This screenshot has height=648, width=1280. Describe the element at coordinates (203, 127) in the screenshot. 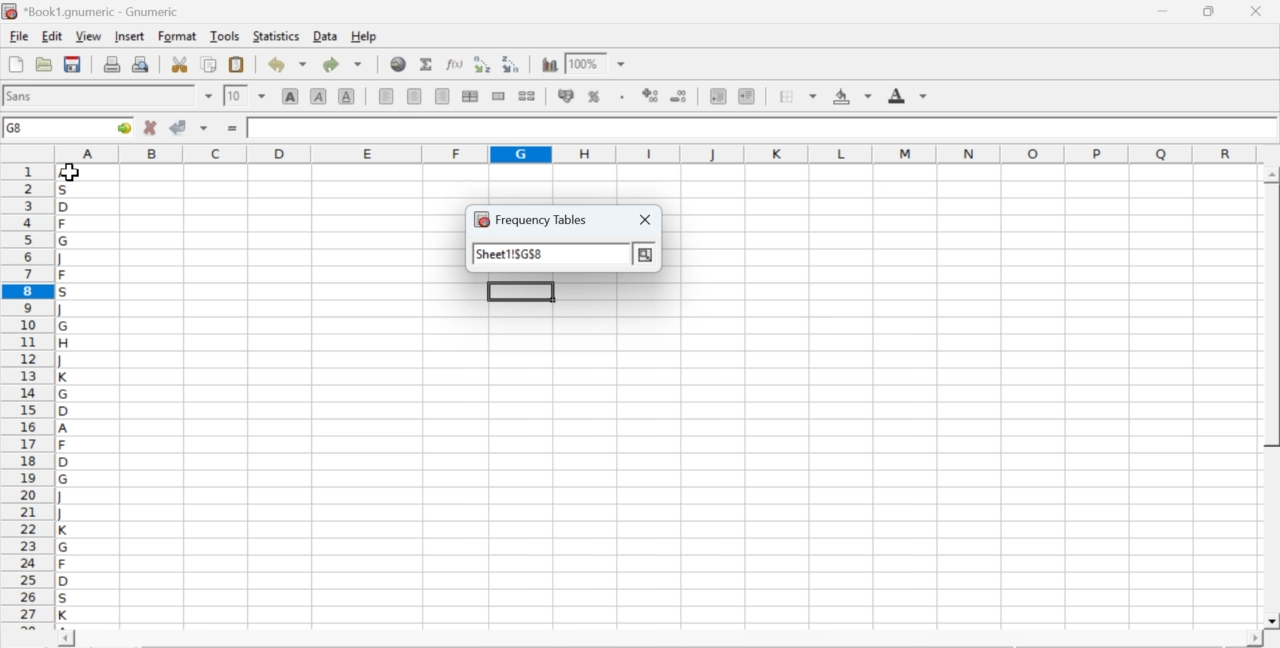

I see `accept changes across selection` at that location.